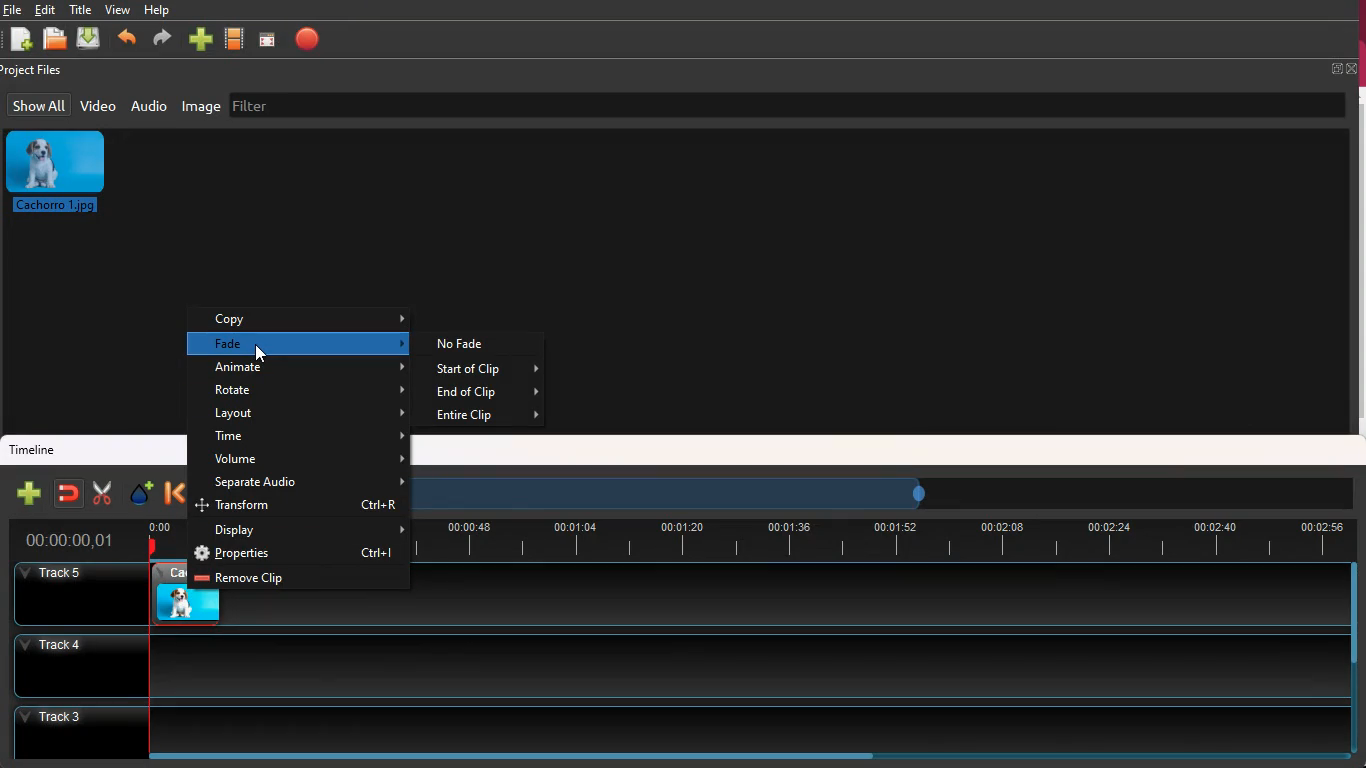 This screenshot has width=1366, height=768. Describe the element at coordinates (307, 460) in the screenshot. I see `volume` at that location.